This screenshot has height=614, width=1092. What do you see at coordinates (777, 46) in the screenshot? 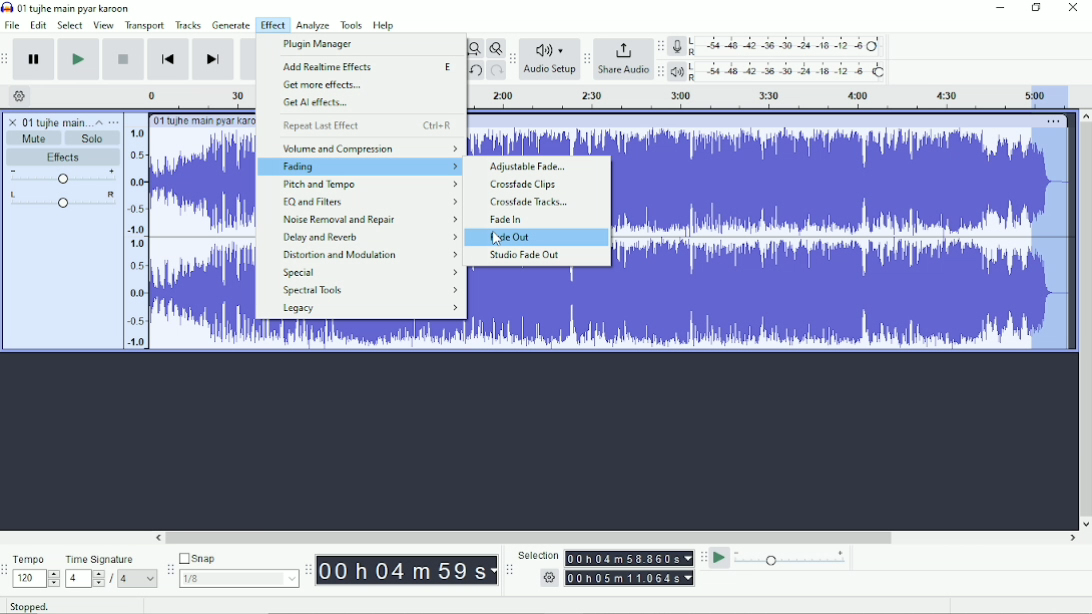
I see `Record meter` at bounding box center [777, 46].